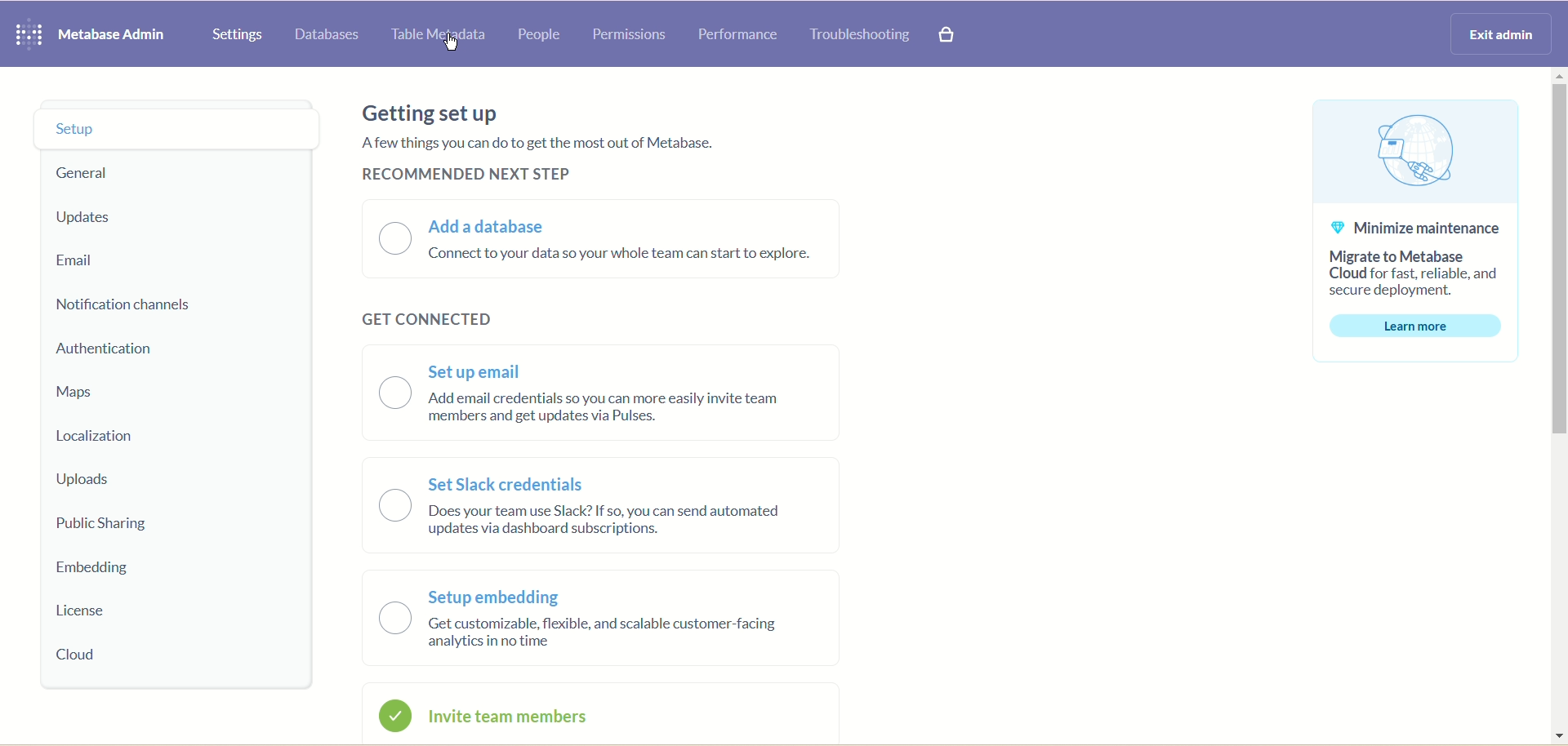 The height and width of the screenshot is (746, 1568). I want to click on Performance, so click(741, 39).